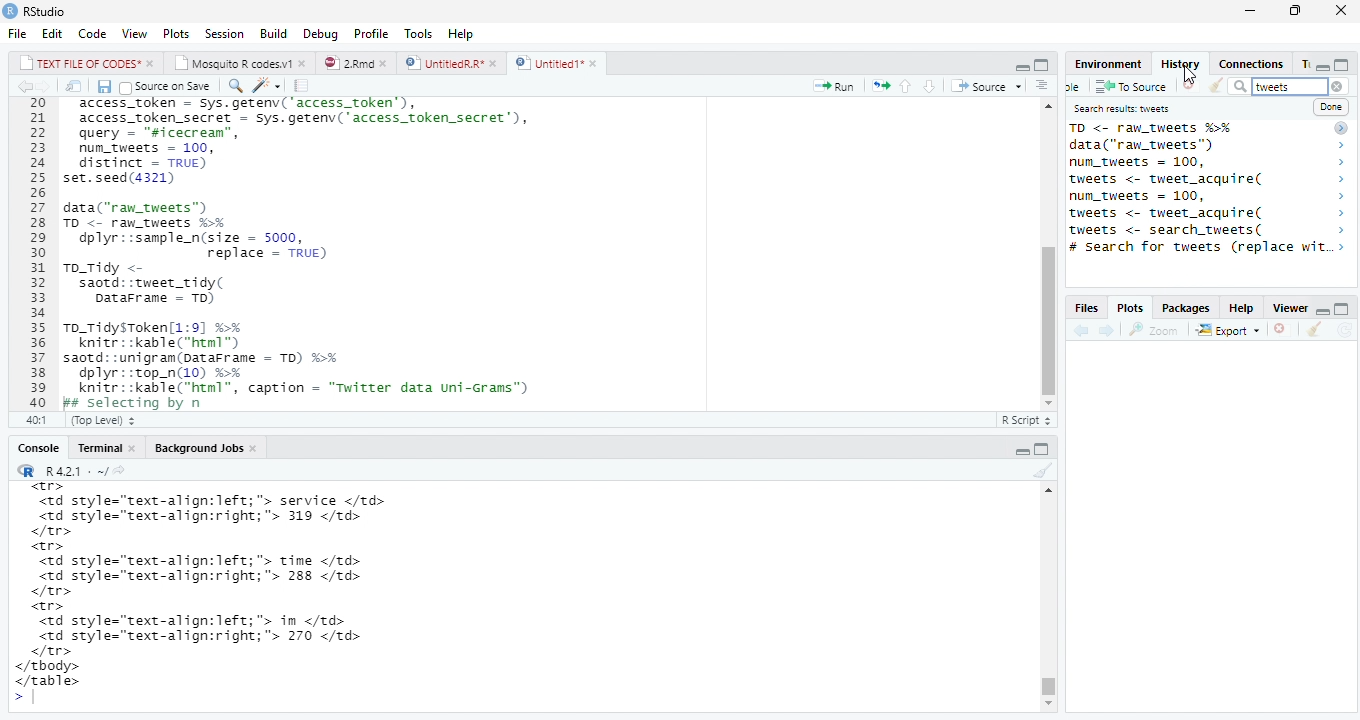 The image size is (1360, 720). What do you see at coordinates (1034, 447) in the screenshot?
I see `minimize/maxiize` at bounding box center [1034, 447].